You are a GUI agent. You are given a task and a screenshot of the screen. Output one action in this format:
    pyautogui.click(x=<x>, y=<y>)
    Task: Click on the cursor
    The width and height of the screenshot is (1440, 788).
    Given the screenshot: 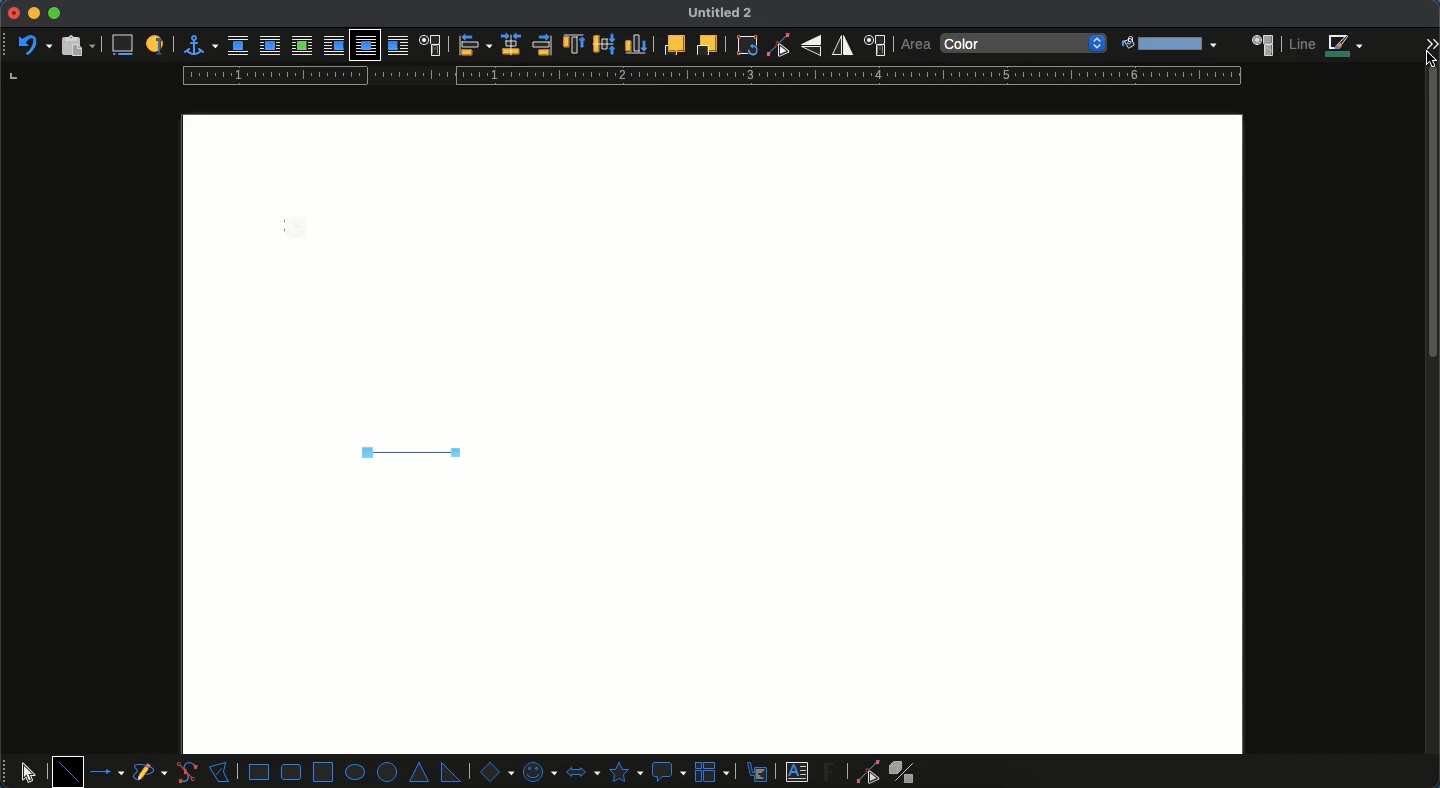 What is the action you would take?
    pyautogui.click(x=1433, y=61)
    